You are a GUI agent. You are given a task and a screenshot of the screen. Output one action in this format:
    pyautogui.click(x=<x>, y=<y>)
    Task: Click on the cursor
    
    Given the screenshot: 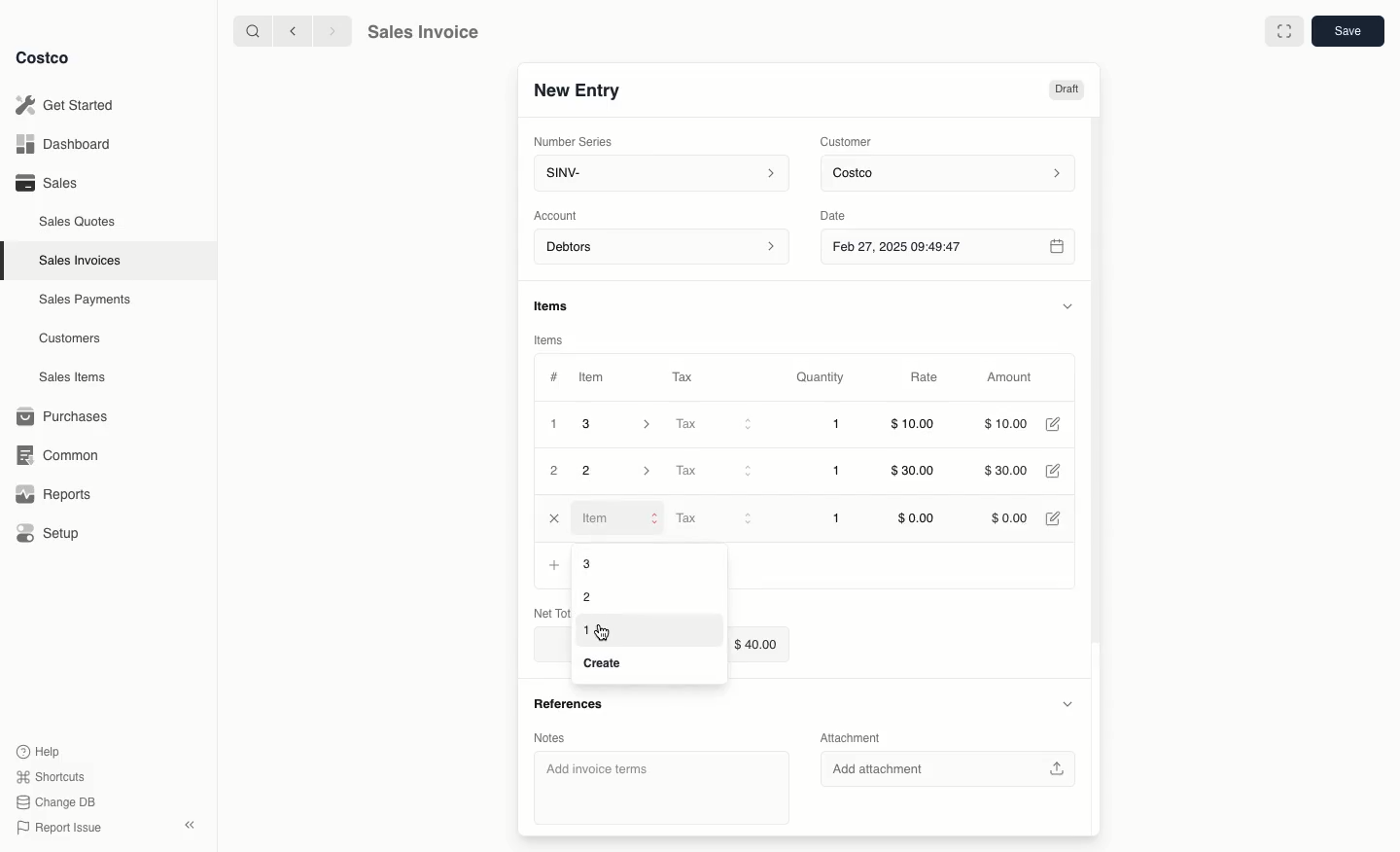 What is the action you would take?
    pyautogui.click(x=605, y=632)
    